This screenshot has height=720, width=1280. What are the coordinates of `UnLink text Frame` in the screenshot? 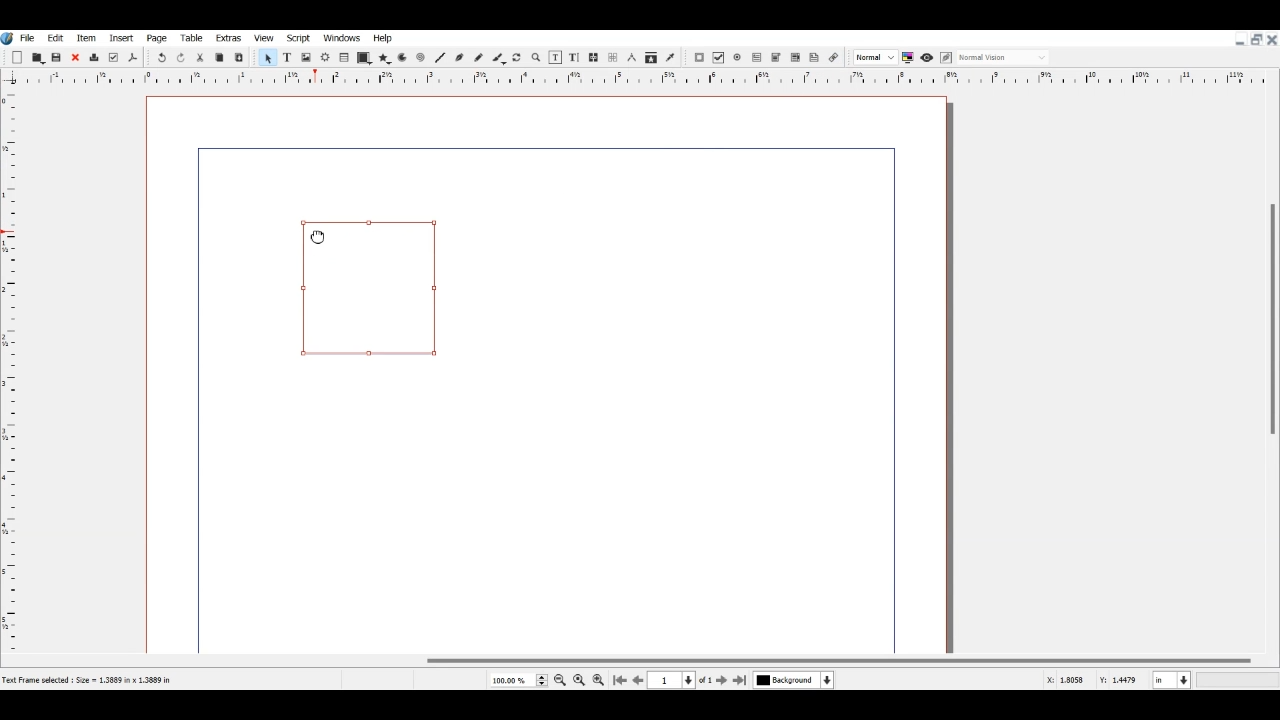 It's located at (613, 58).